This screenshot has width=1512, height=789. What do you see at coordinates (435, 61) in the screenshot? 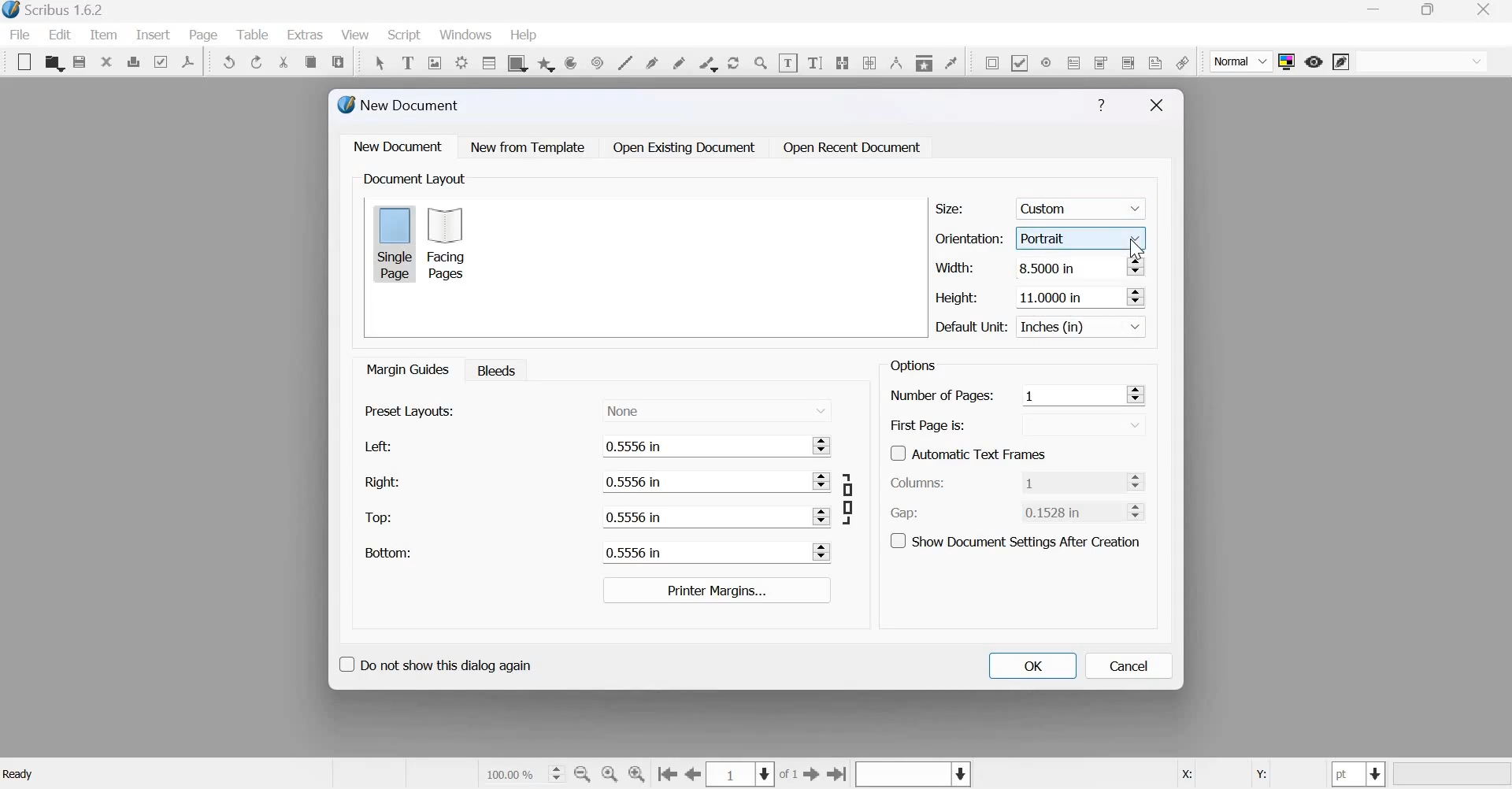
I see `Image frame` at bounding box center [435, 61].